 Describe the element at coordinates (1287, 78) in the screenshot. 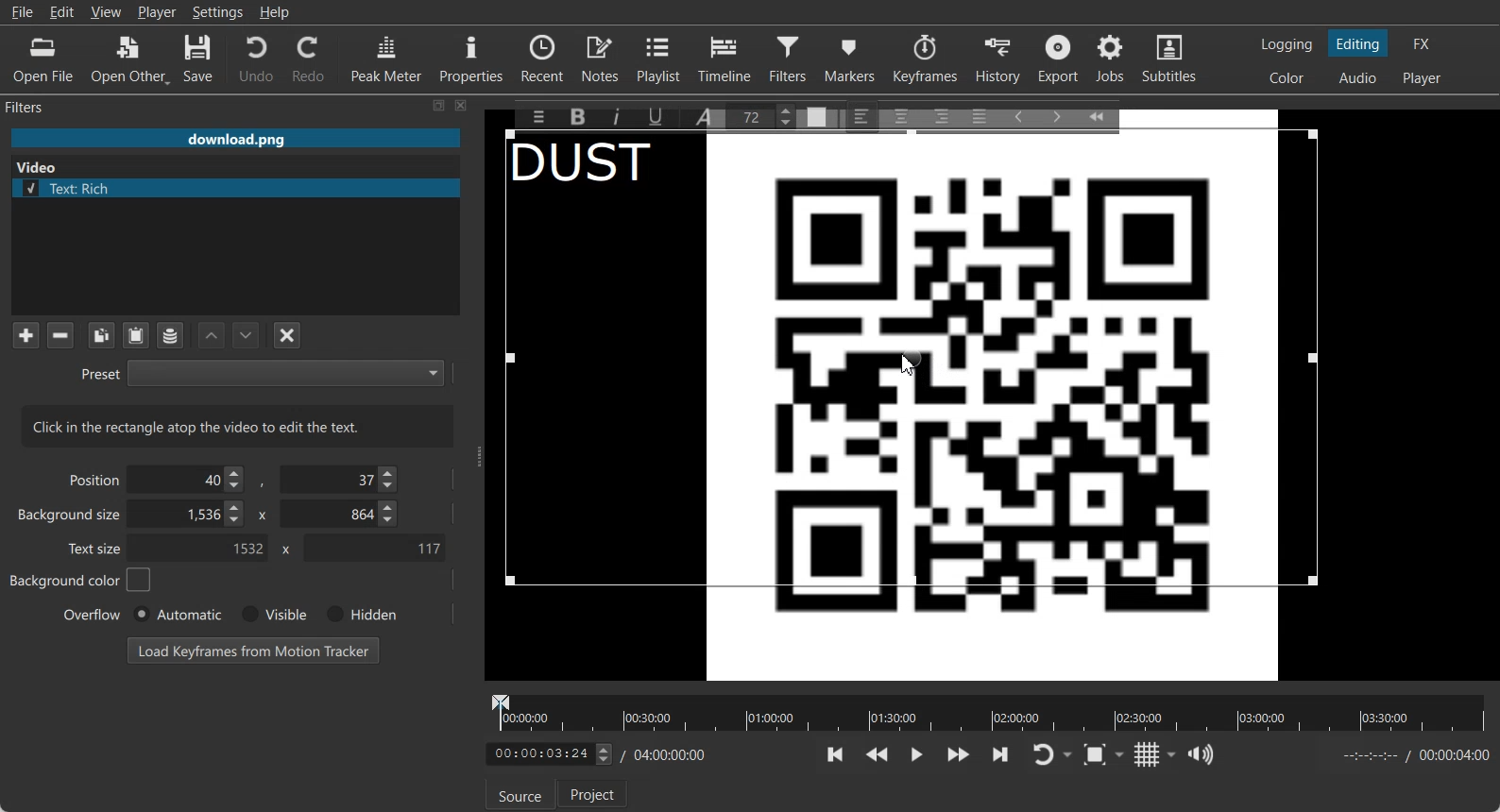

I see `Switching to the Color layout` at that location.